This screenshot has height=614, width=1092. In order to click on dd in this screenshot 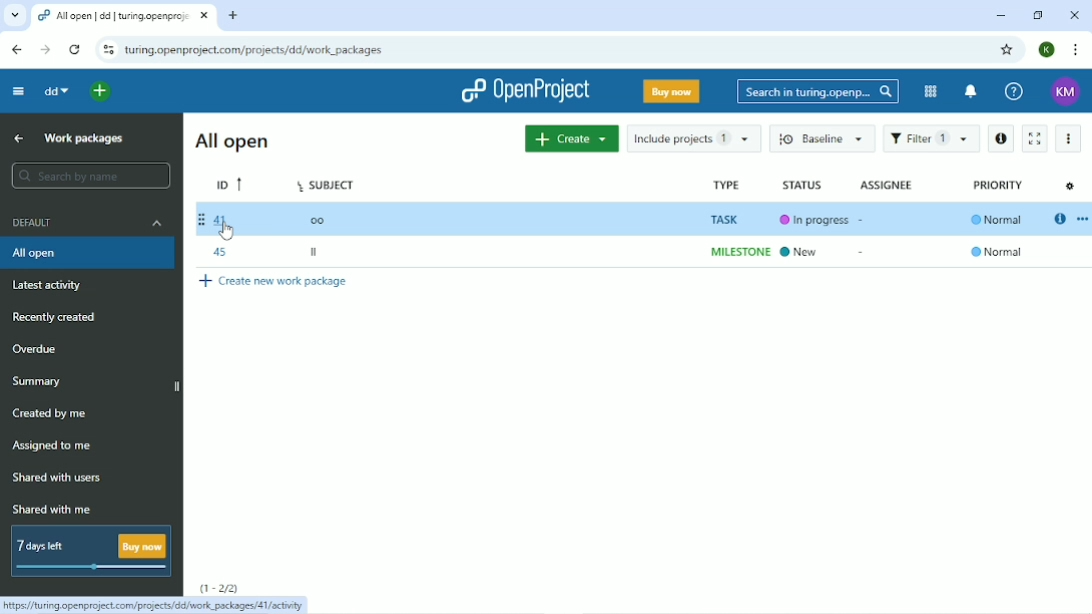, I will do `click(57, 93)`.